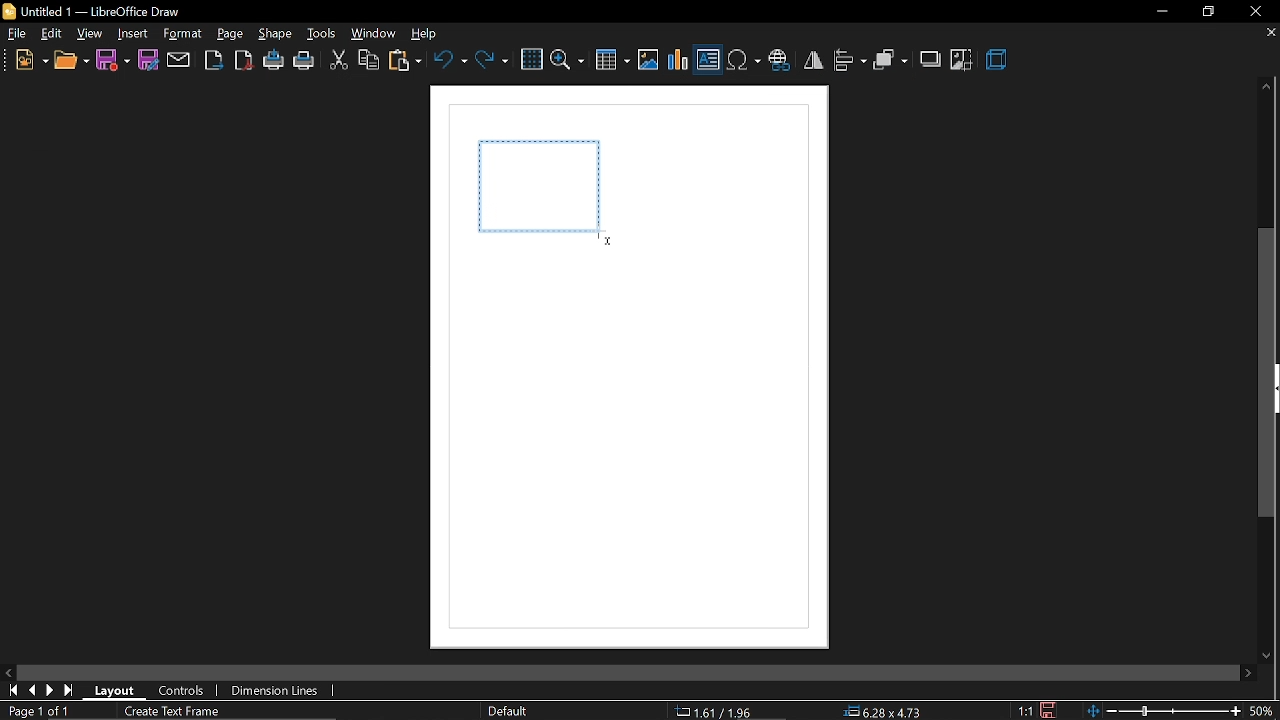 The width and height of the screenshot is (1280, 720). I want to click on layout, so click(121, 690).